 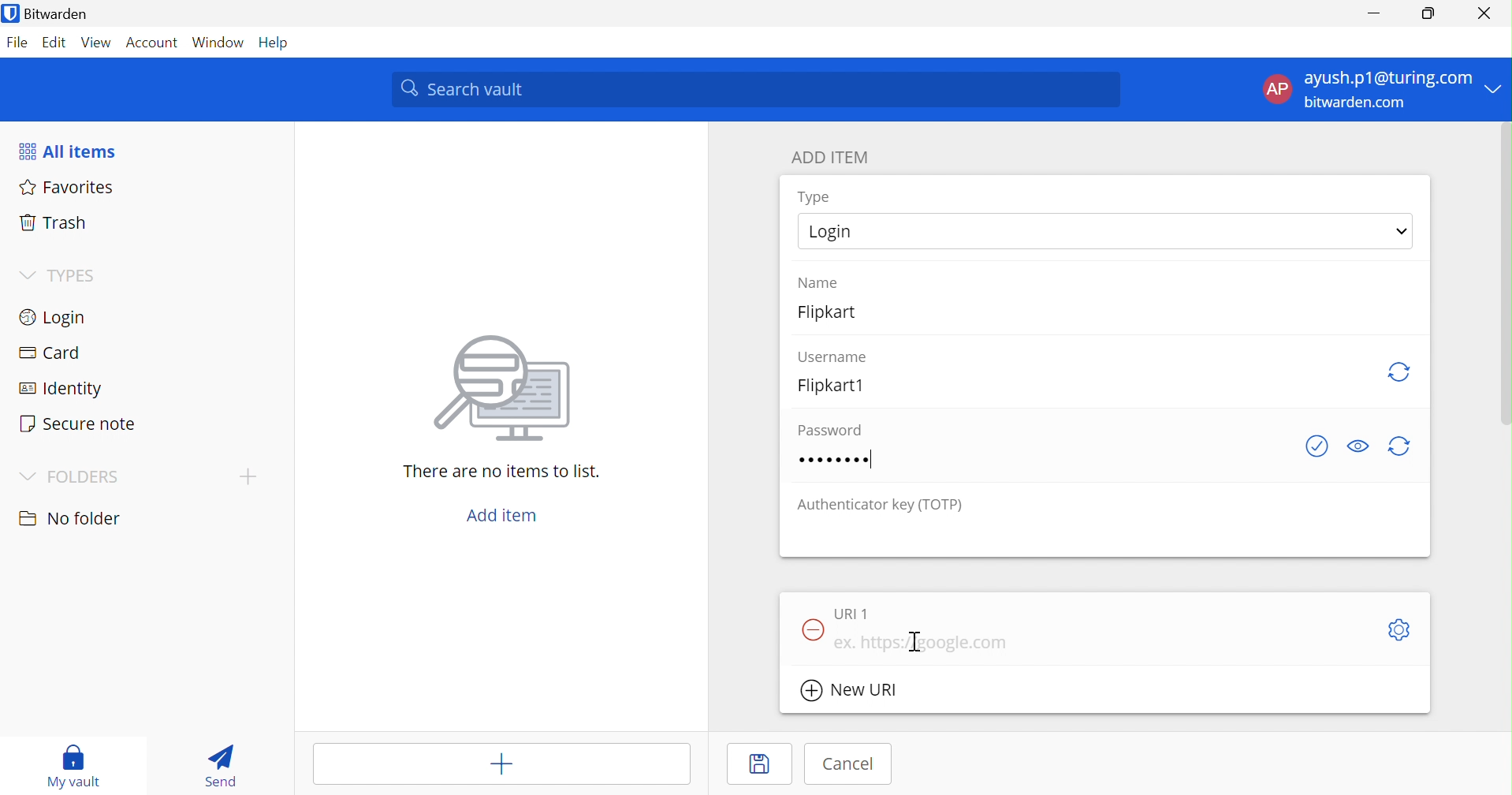 What do you see at coordinates (219, 766) in the screenshot?
I see `Send` at bounding box center [219, 766].